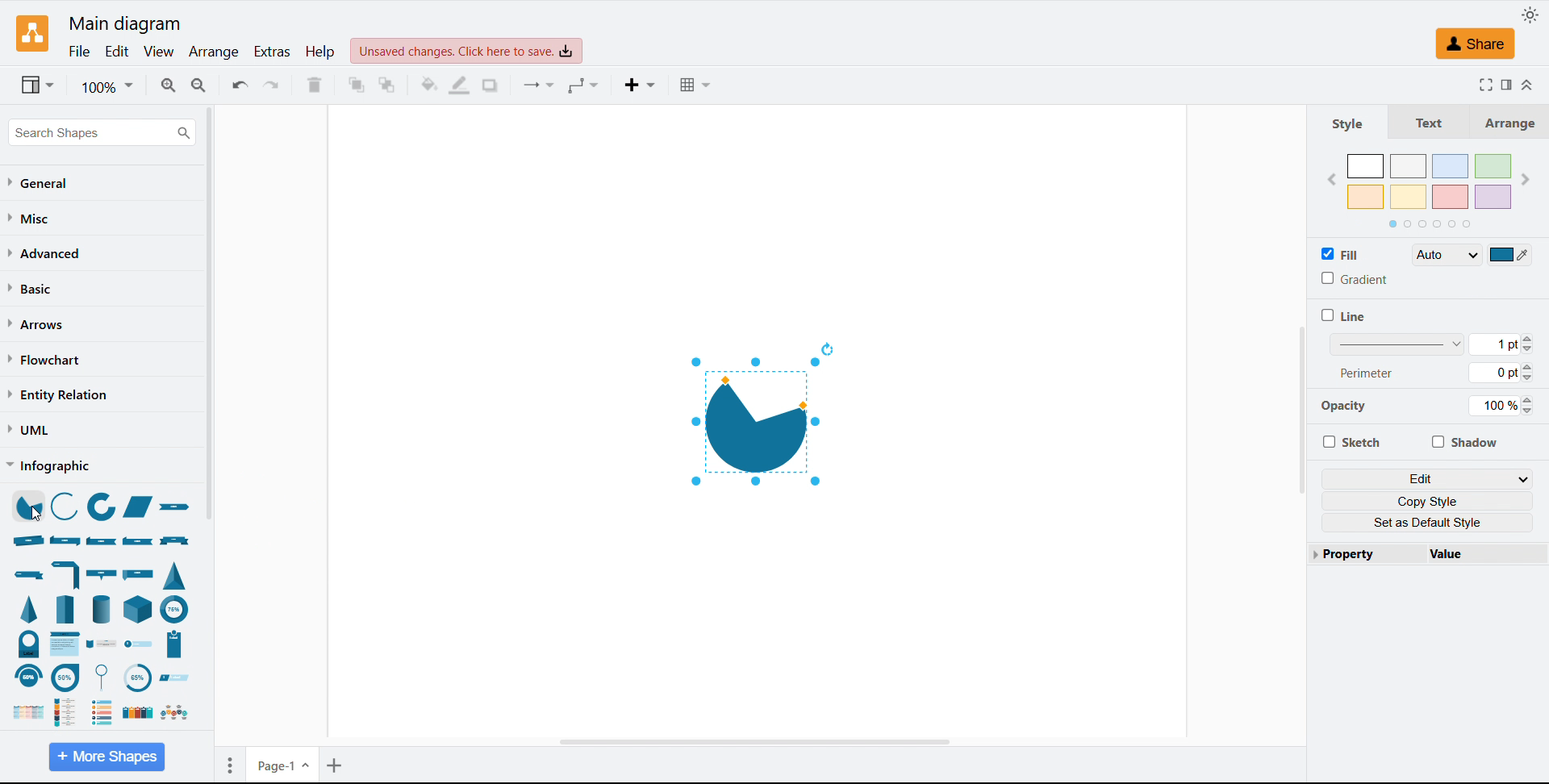 Image resolution: width=1549 pixels, height=784 pixels. What do you see at coordinates (39, 85) in the screenshot?
I see `View options ` at bounding box center [39, 85].